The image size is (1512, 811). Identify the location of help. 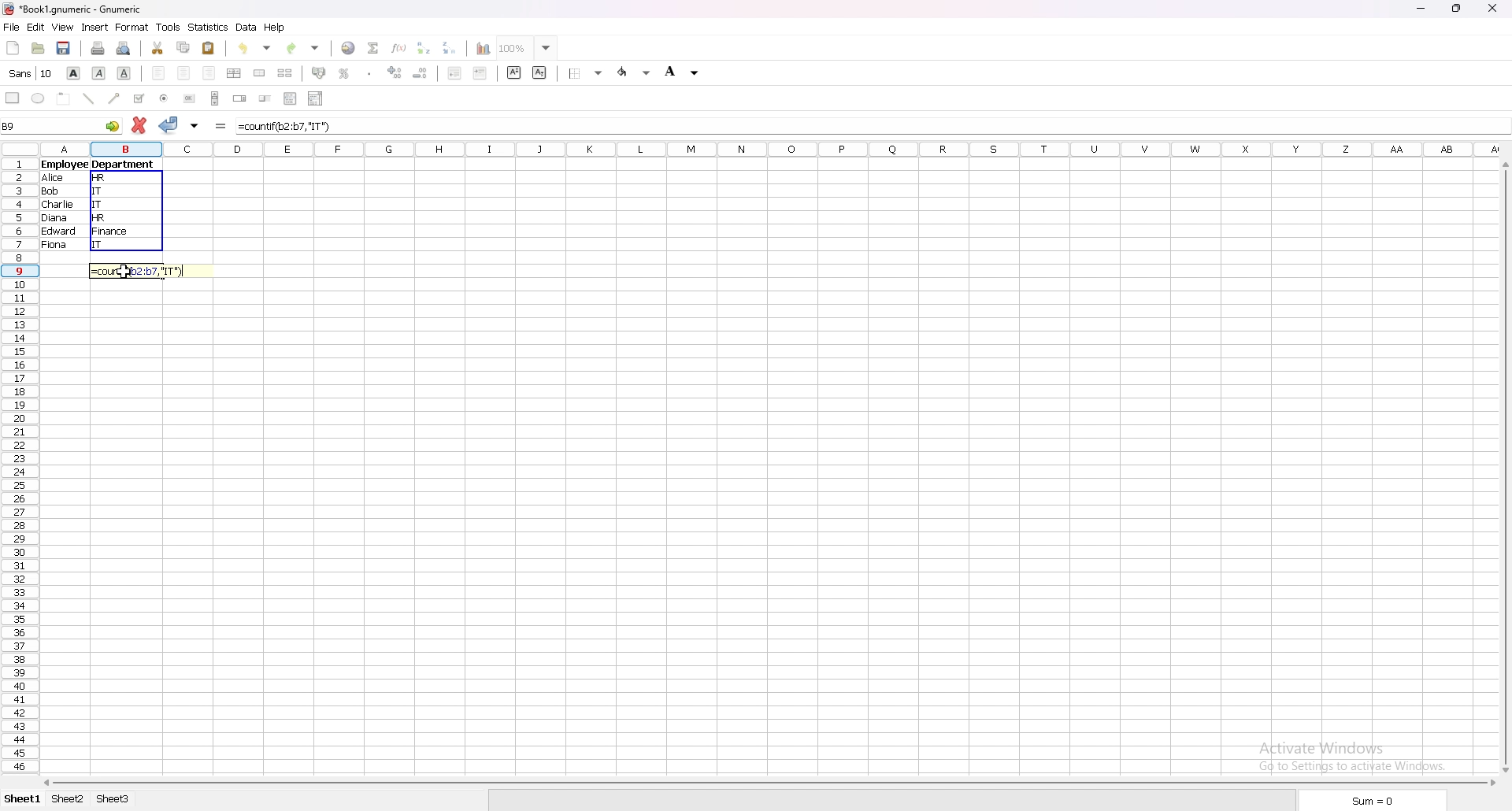
(276, 27).